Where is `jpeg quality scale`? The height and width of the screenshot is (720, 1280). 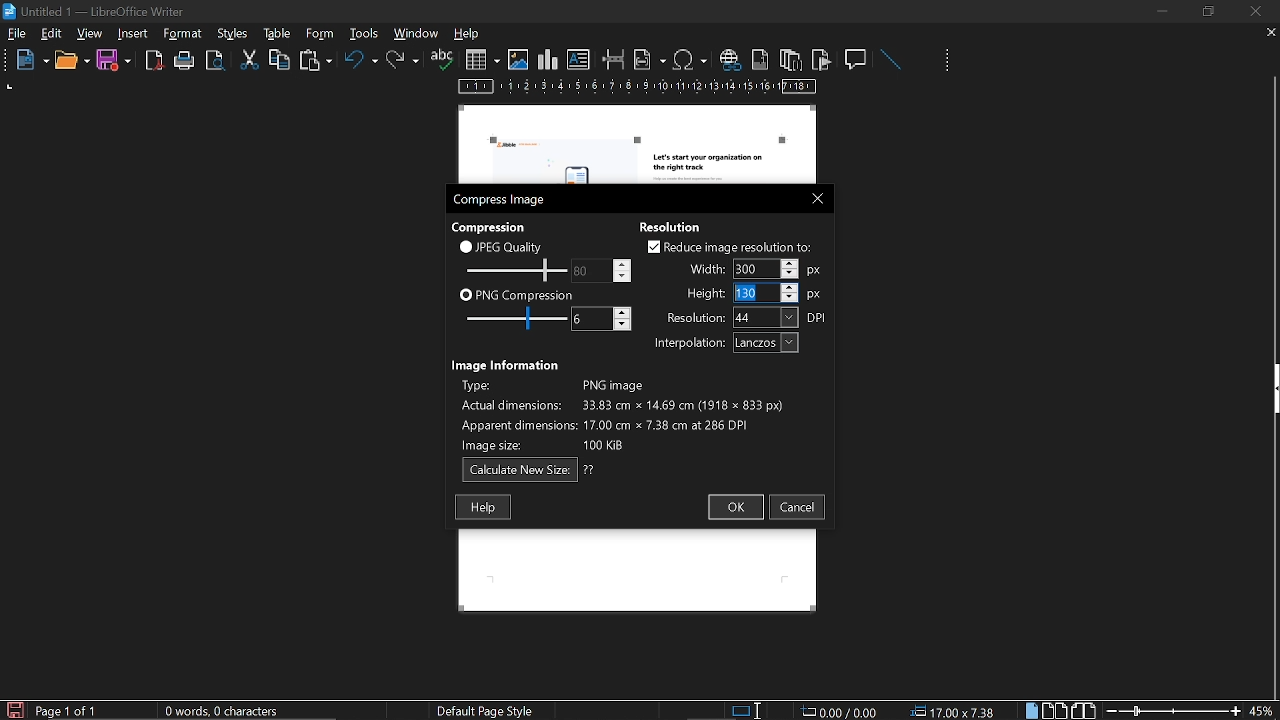 jpeg quality scale is located at coordinates (513, 269).